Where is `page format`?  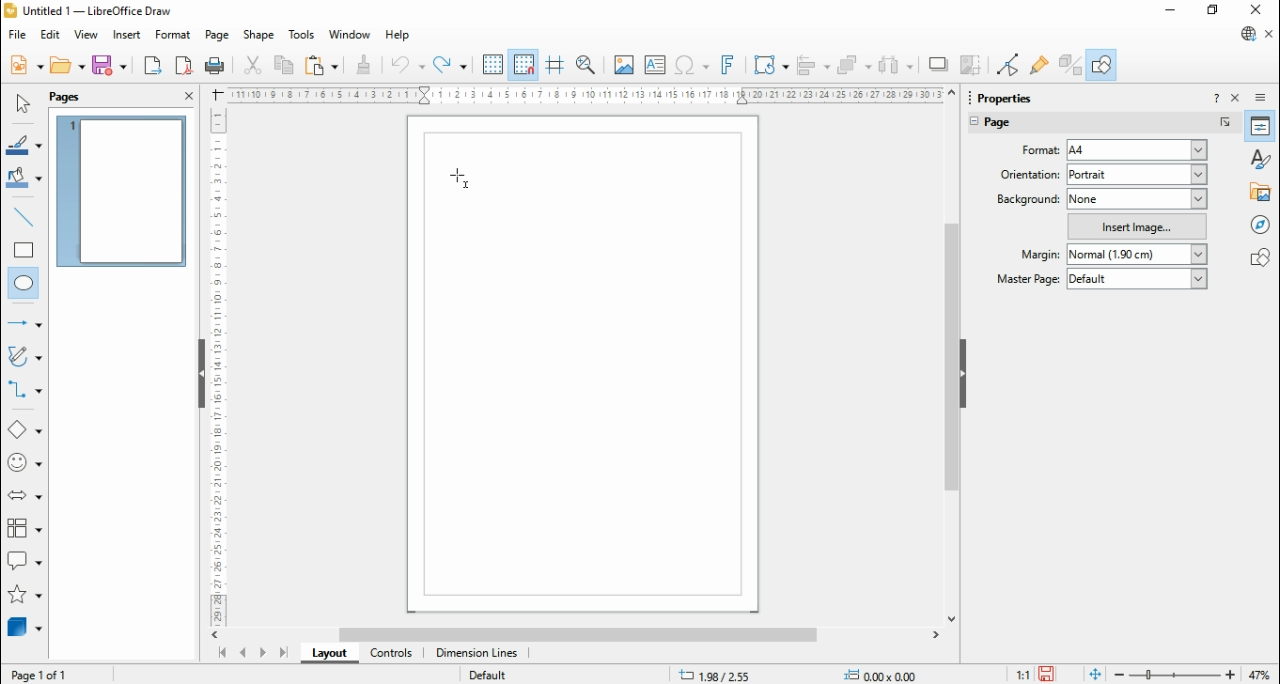 page format is located at coordinates (1043, 149).